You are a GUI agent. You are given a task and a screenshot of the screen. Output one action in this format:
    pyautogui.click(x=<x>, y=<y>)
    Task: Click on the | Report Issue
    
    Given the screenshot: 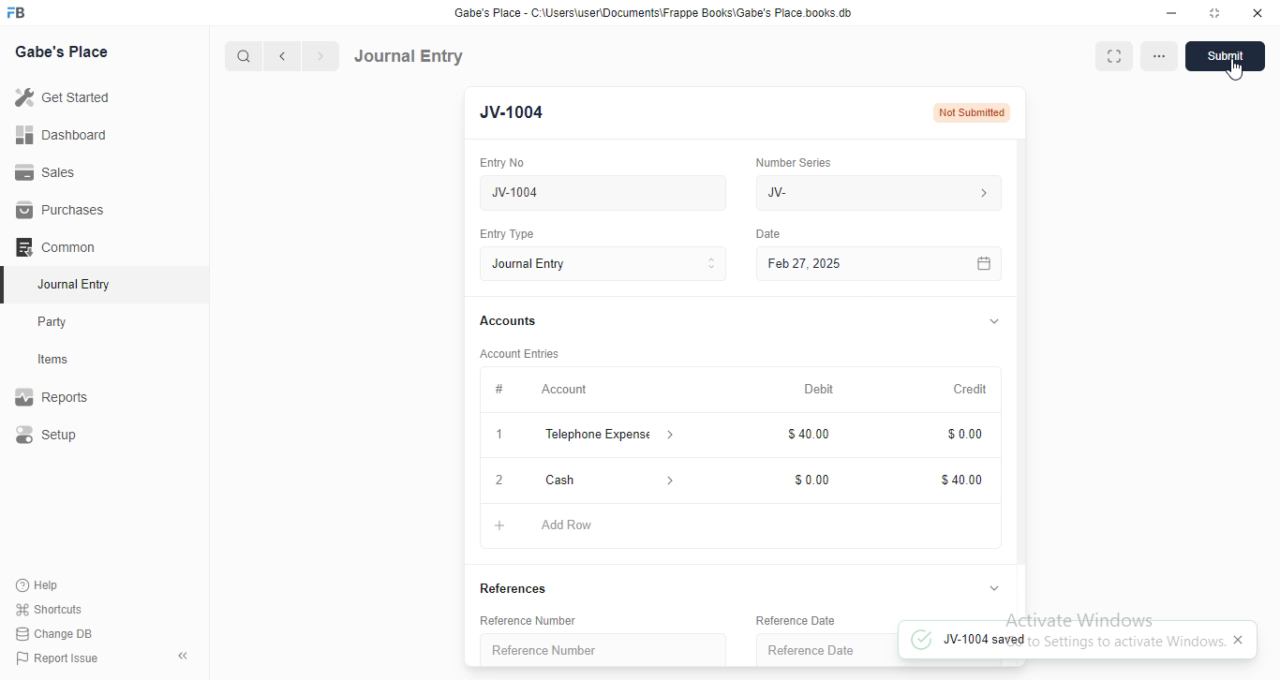 What is the action you would take?
    pyautogui.click(x=59, y=658)
    